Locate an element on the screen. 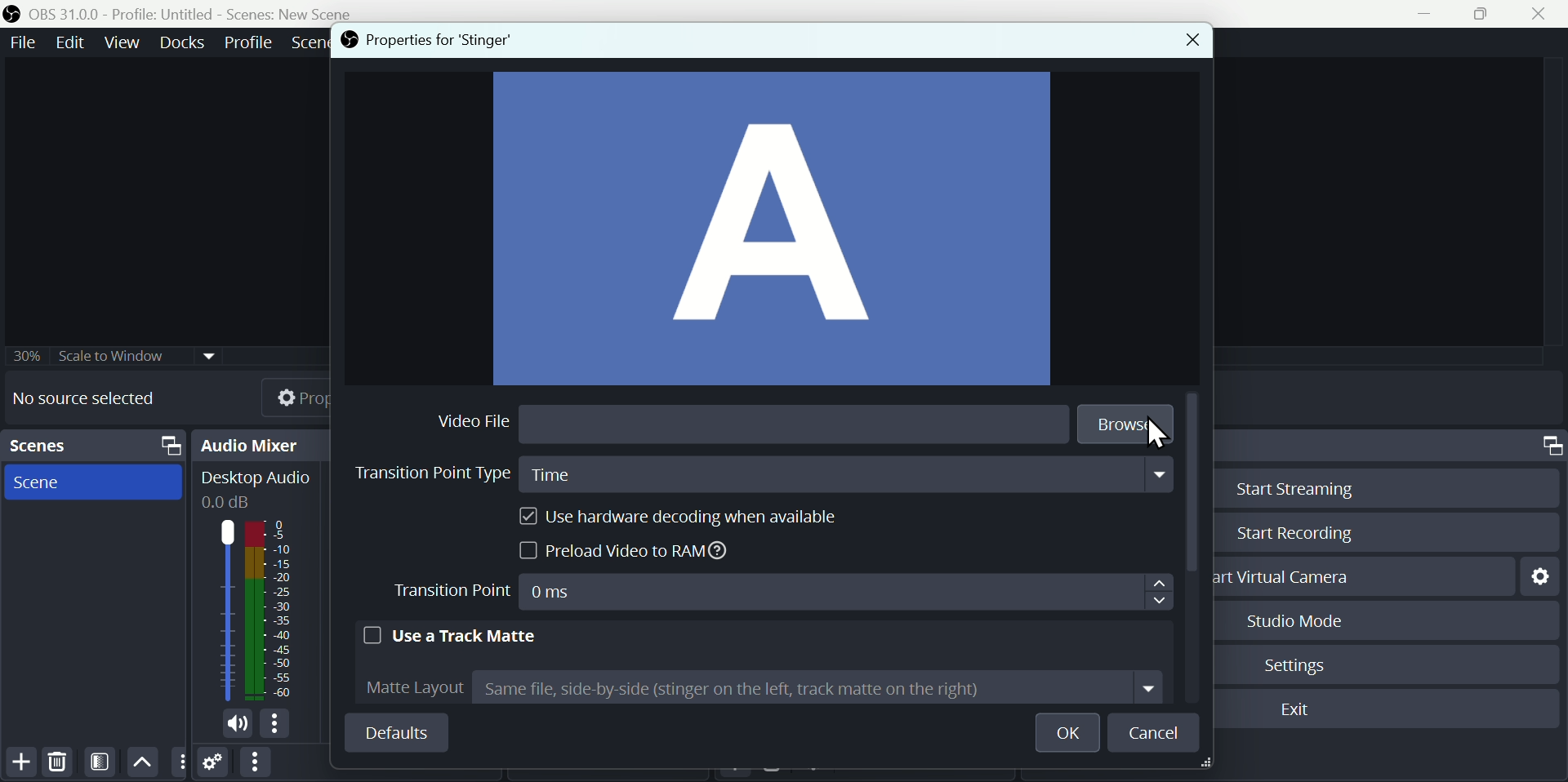 The image size is (1568, 782). Preload video to Ram is located at coordinates (630, 553).